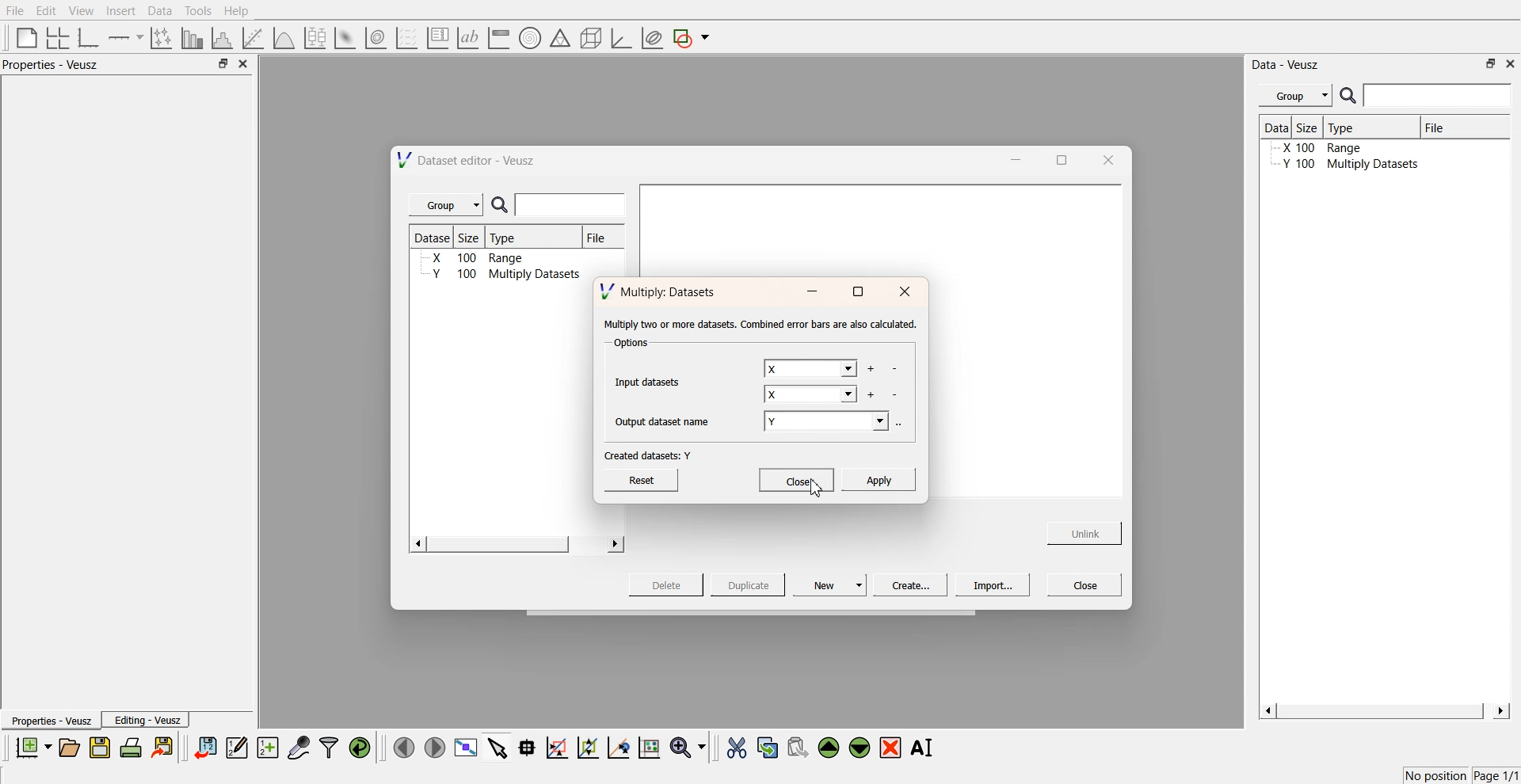 This screenshot has width=1521, height=784. Describe the element at coordinates (688, 748) in the screenshot. I see `zoom funtions` at that location.